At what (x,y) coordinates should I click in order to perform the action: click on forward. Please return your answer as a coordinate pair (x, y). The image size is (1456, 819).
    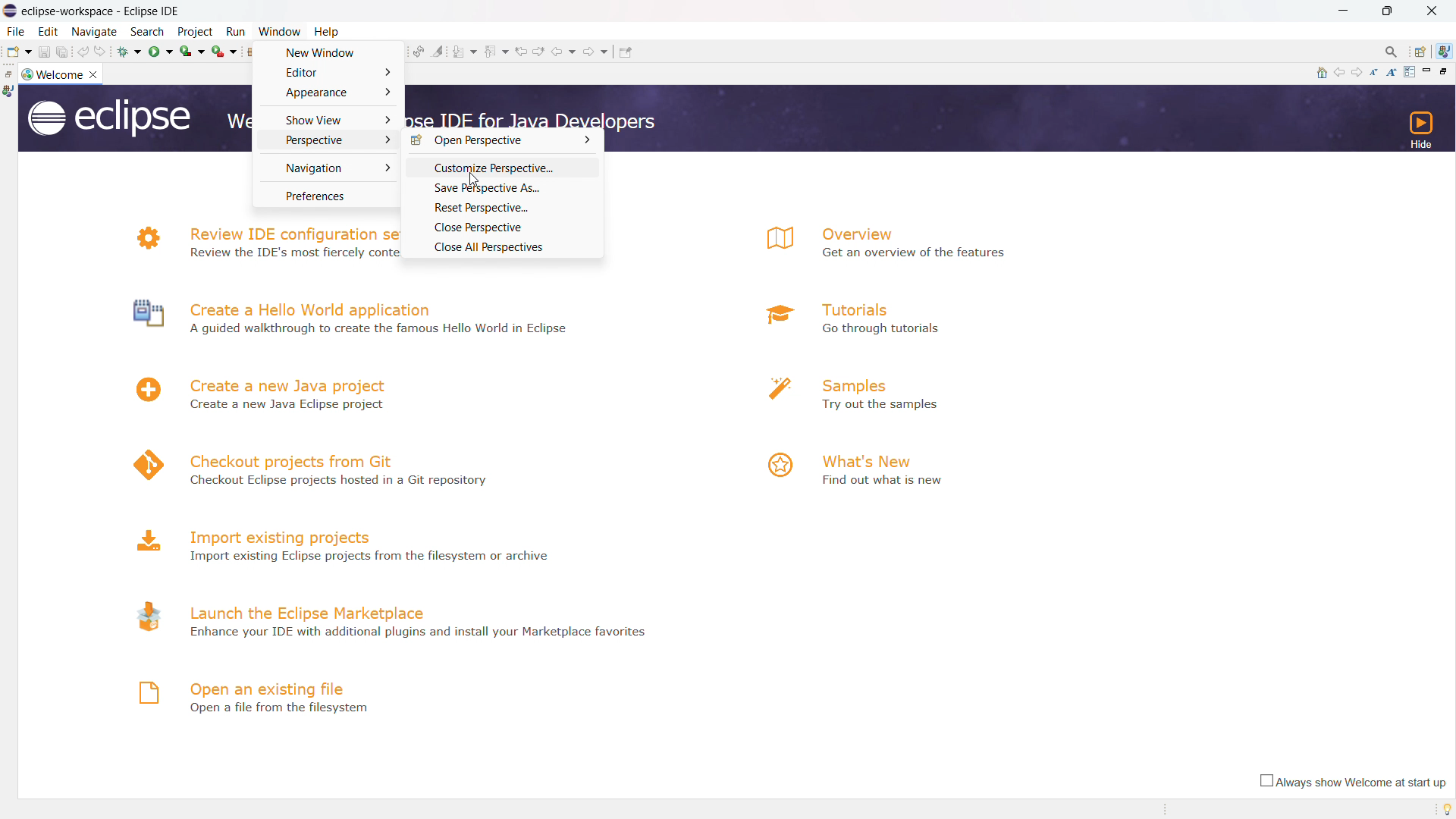
    Looking at the image, I should click on (595, 51).